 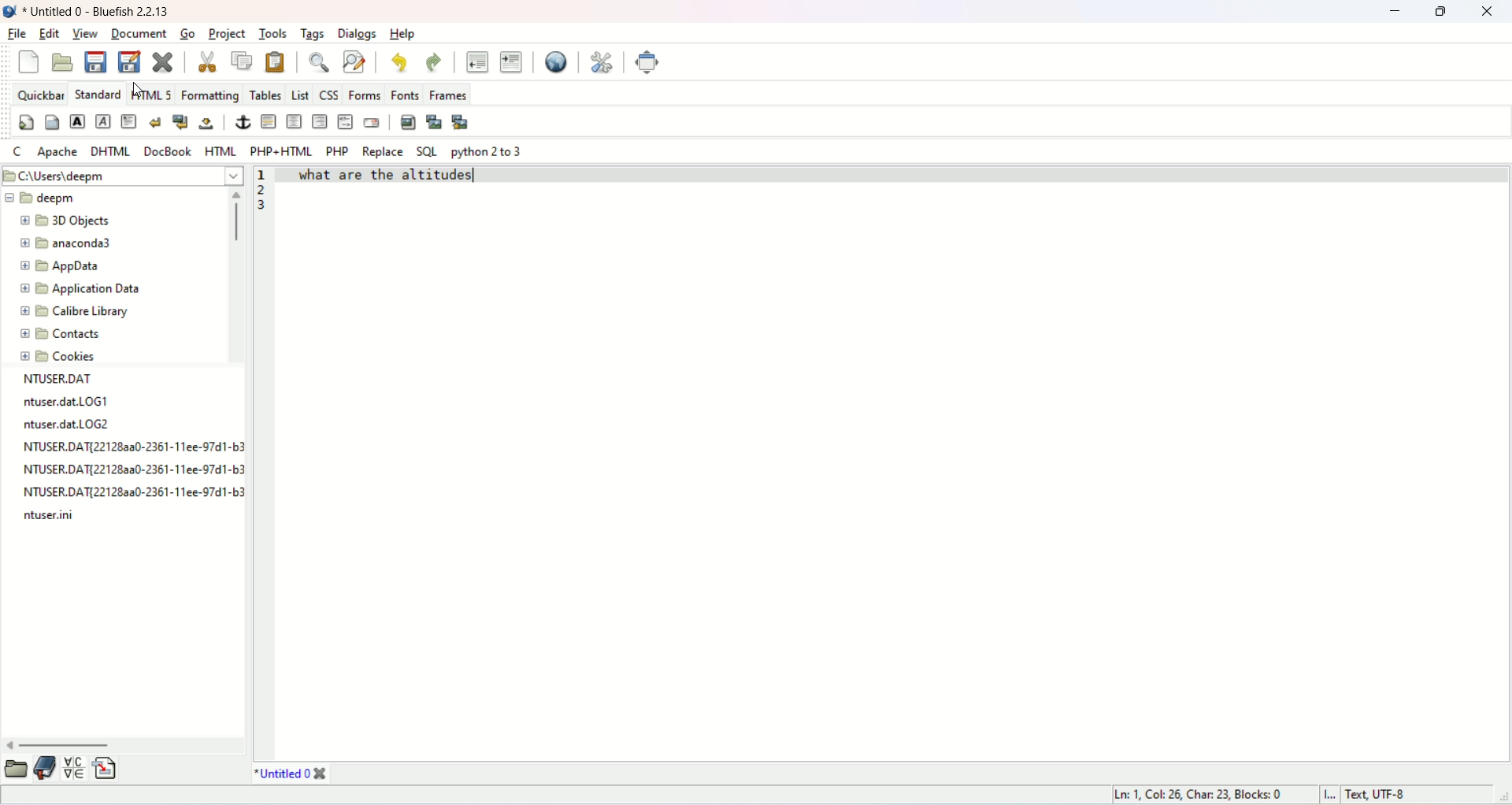 I want to click on go, so click(x=186, y=33).